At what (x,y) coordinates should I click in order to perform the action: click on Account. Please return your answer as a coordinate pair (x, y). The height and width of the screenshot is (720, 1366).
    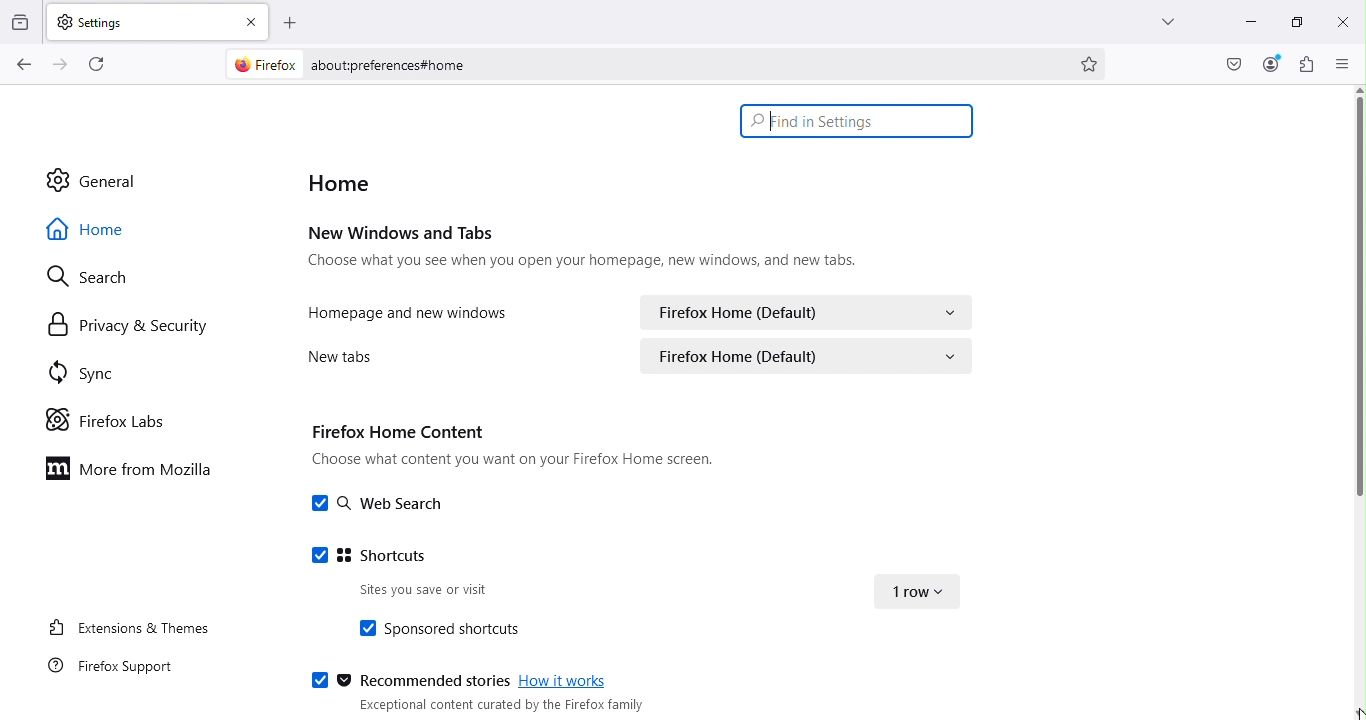
    Looking at the image, I should click on (1271, 64).